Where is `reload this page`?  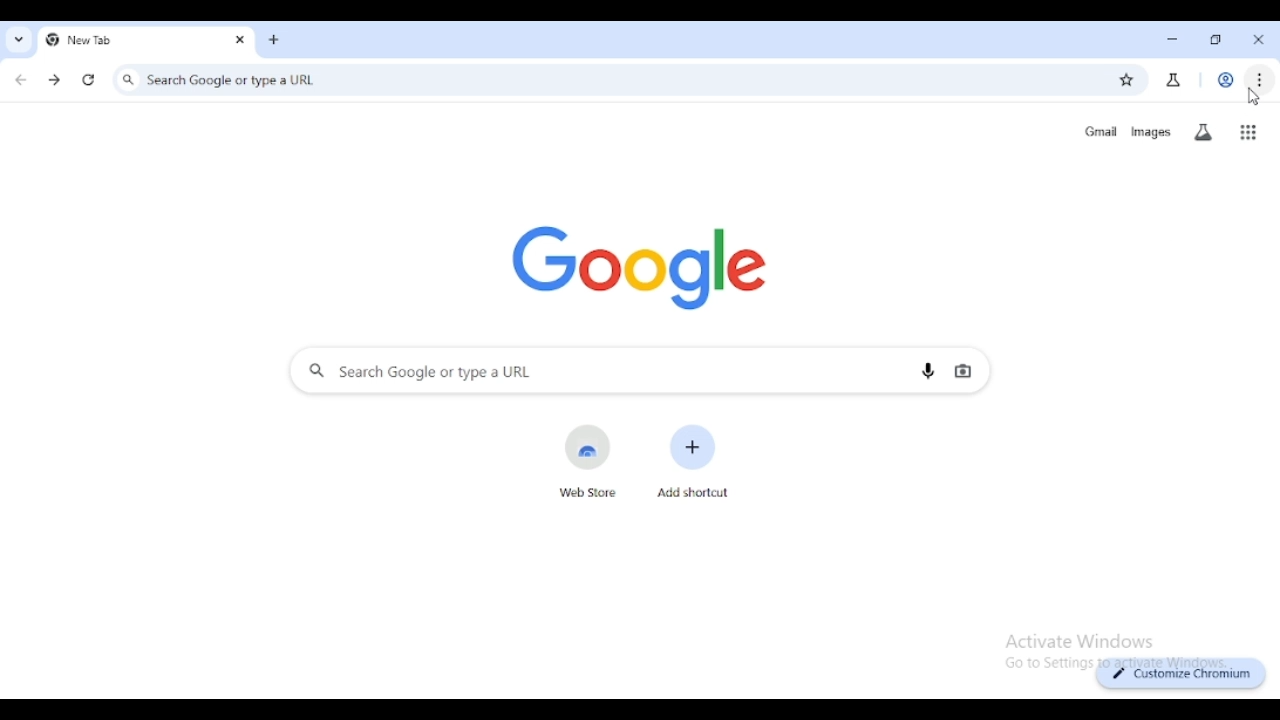 reload this page is located at coordinates (88, 80).